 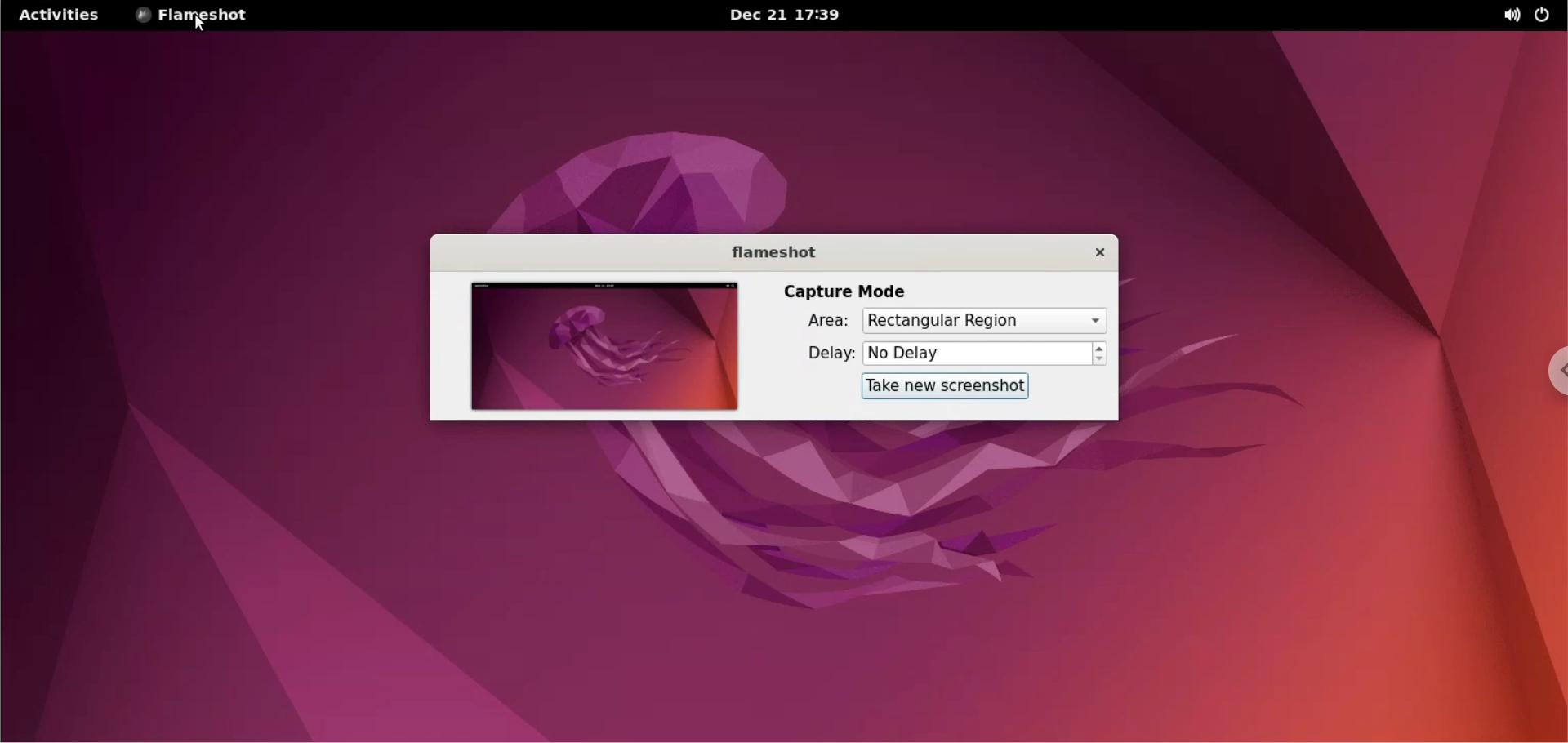 I want to click on power options, so click(x=1545, y=16).